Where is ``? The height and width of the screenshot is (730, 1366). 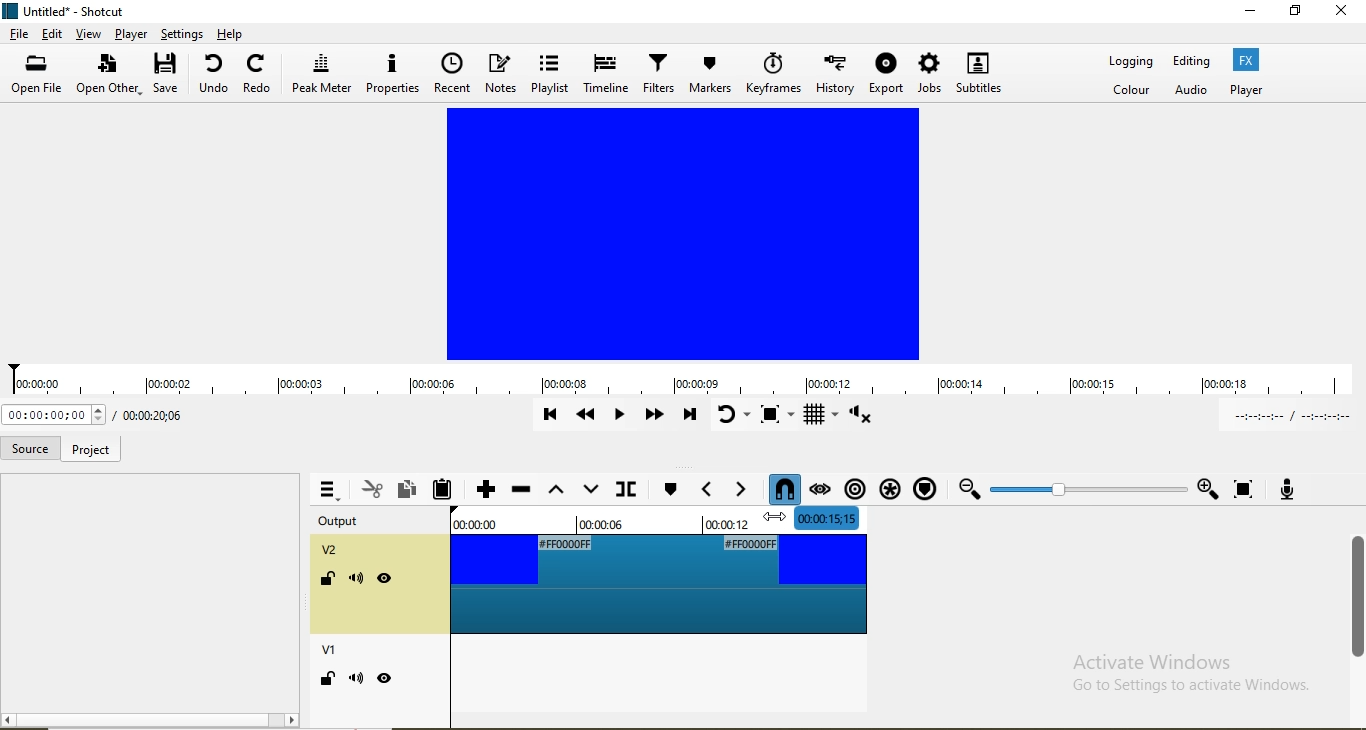
 is located at coordinates (734, 416).